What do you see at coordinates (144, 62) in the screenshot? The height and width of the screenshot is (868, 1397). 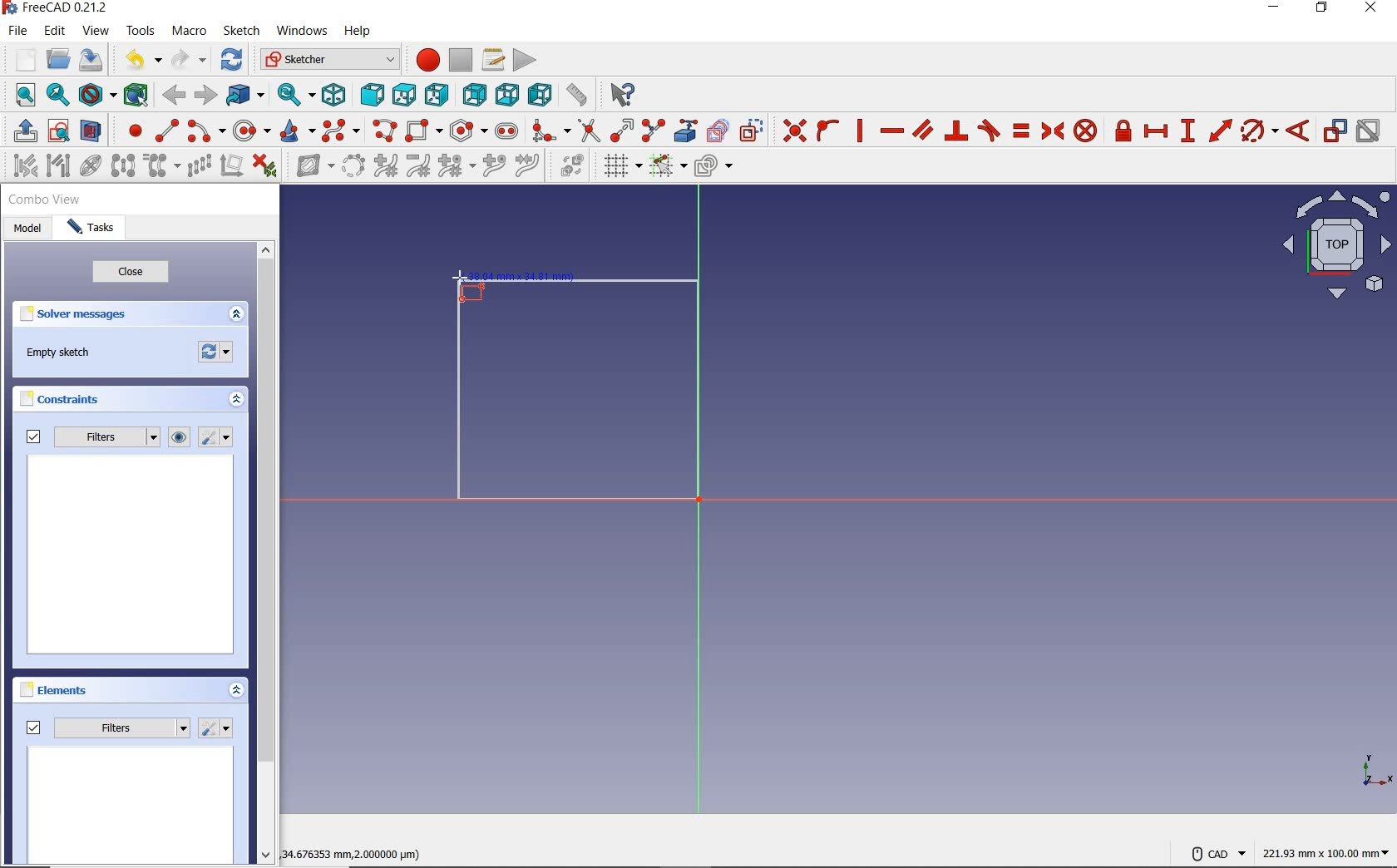 I see `undo` at bounding box center [144, 62].